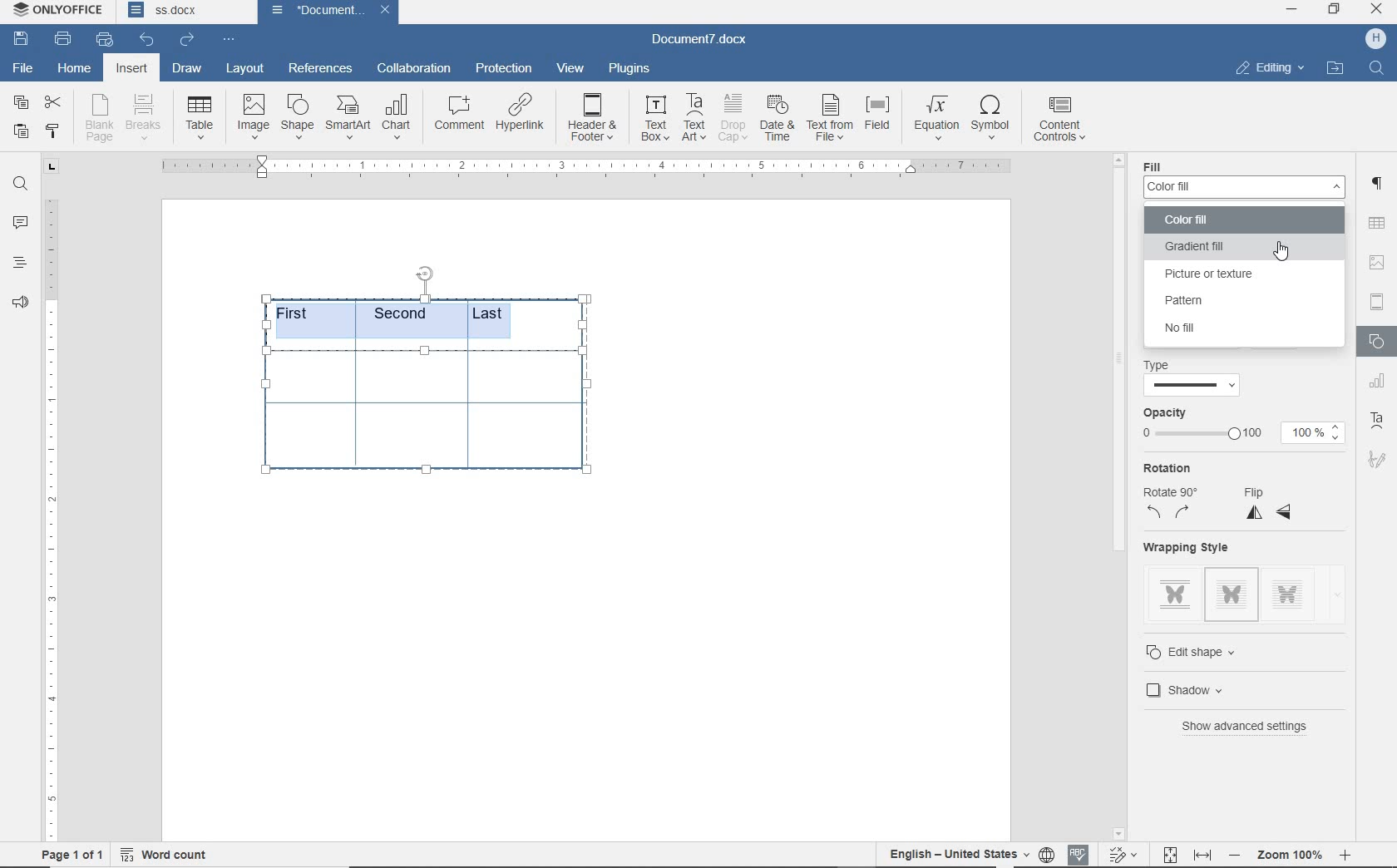  Describe the element at coordinates (503, 69) in the screenshot. I see `protection` at that location.